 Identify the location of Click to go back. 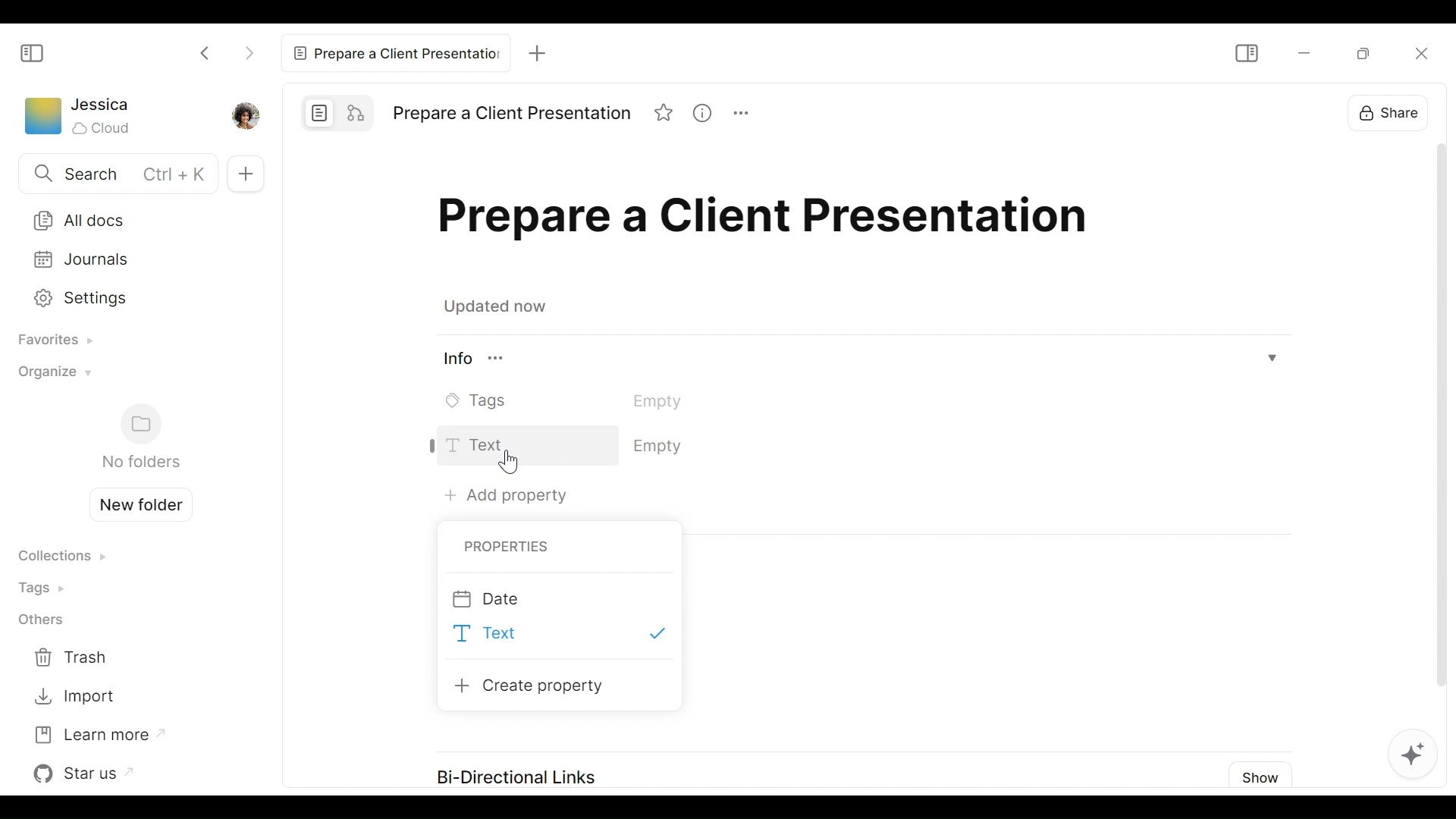
(206, 52).